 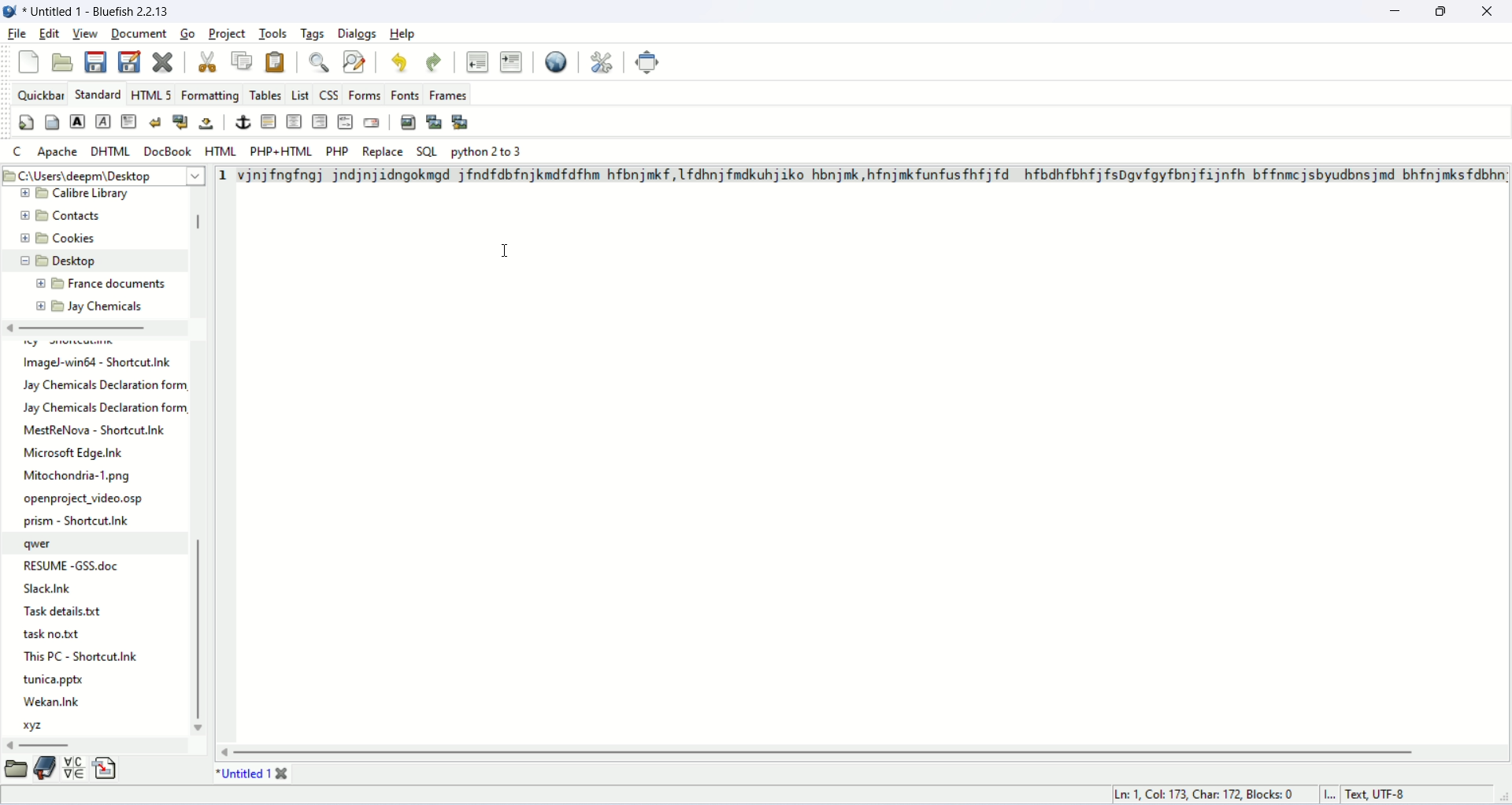 What do you see at coordinates (222, 150) in the screenshot?
I see `HTML` at bounding box center [222, 150].